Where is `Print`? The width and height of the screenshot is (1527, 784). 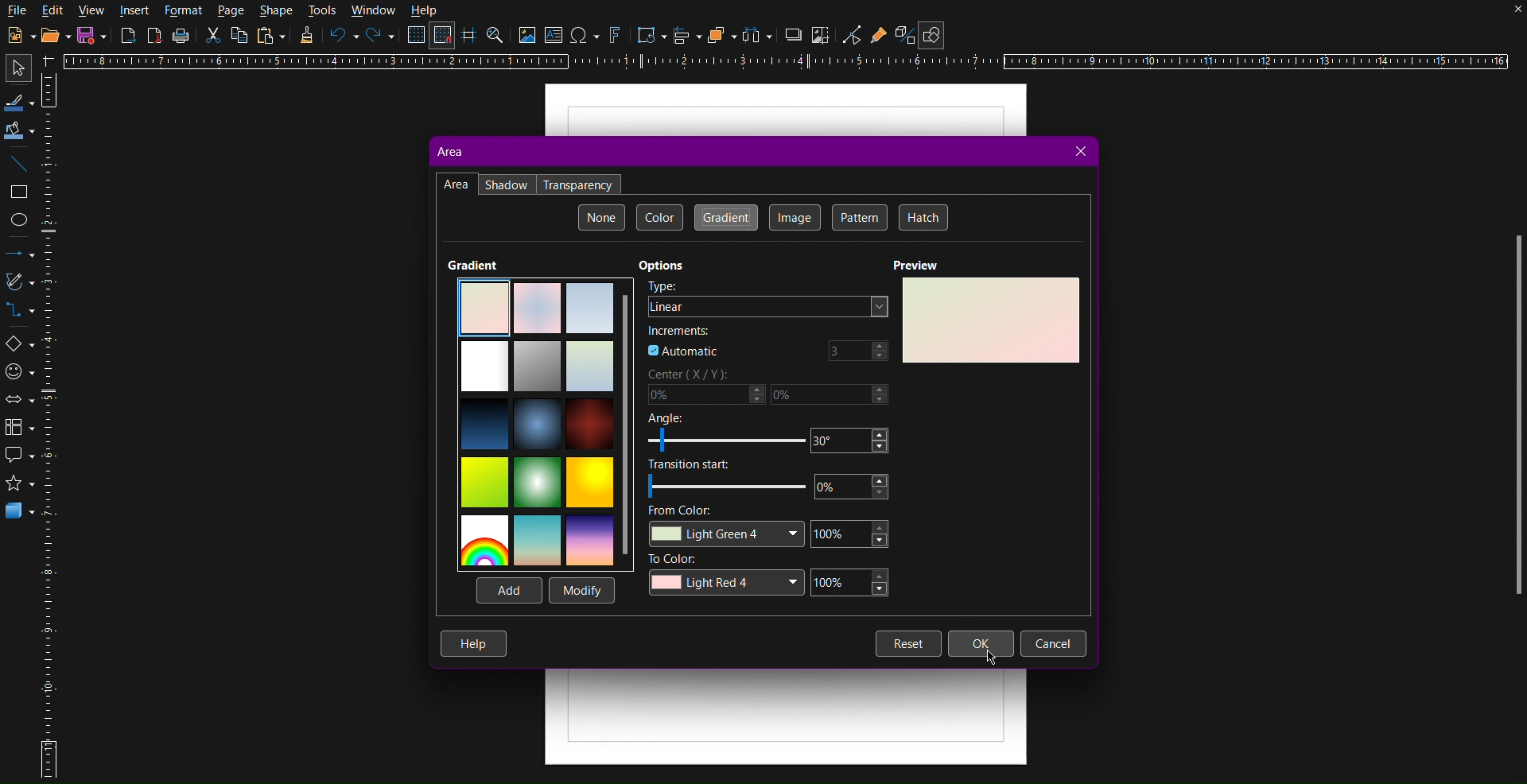
Print is located at coordinates (181, 38).